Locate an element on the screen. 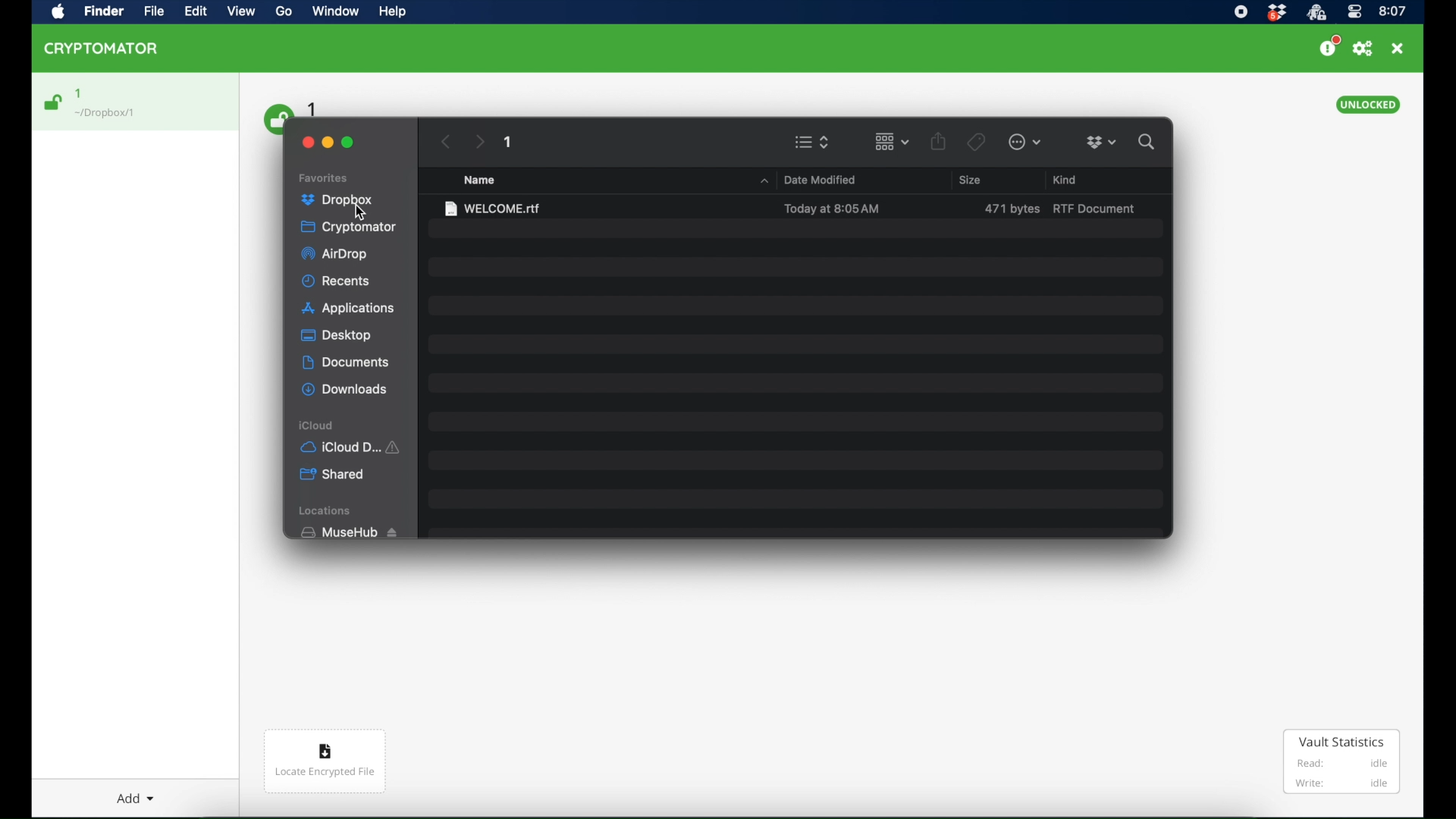 Image resolution: width=1456 pixels, height=819 pixels. favorites is located at coordinates (325, 177).